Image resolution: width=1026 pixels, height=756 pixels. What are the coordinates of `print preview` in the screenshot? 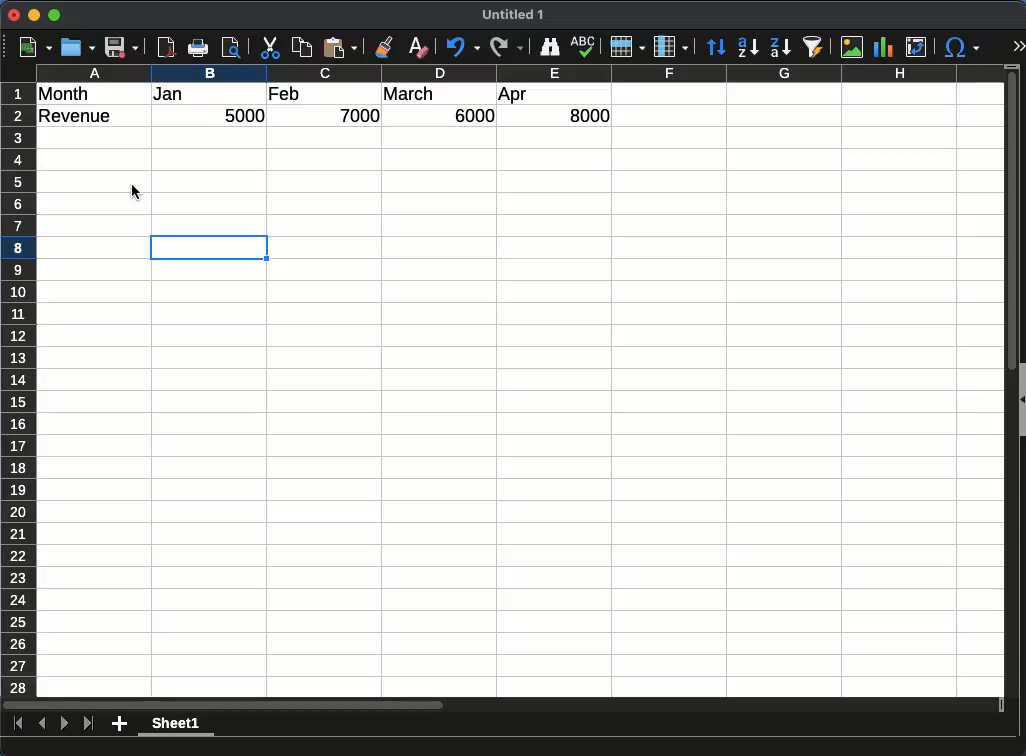 It's located at (231, 47).